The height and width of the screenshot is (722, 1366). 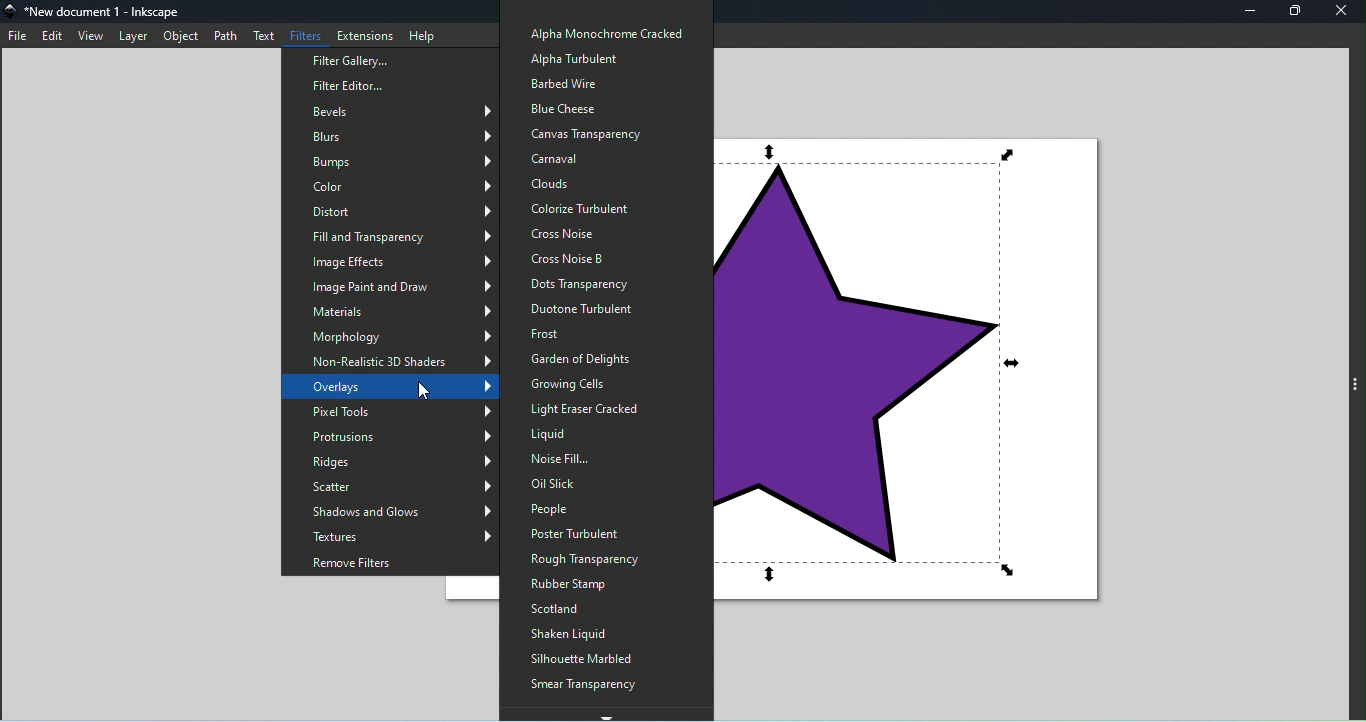 I want to click on Color, so click(x=395, y=185).